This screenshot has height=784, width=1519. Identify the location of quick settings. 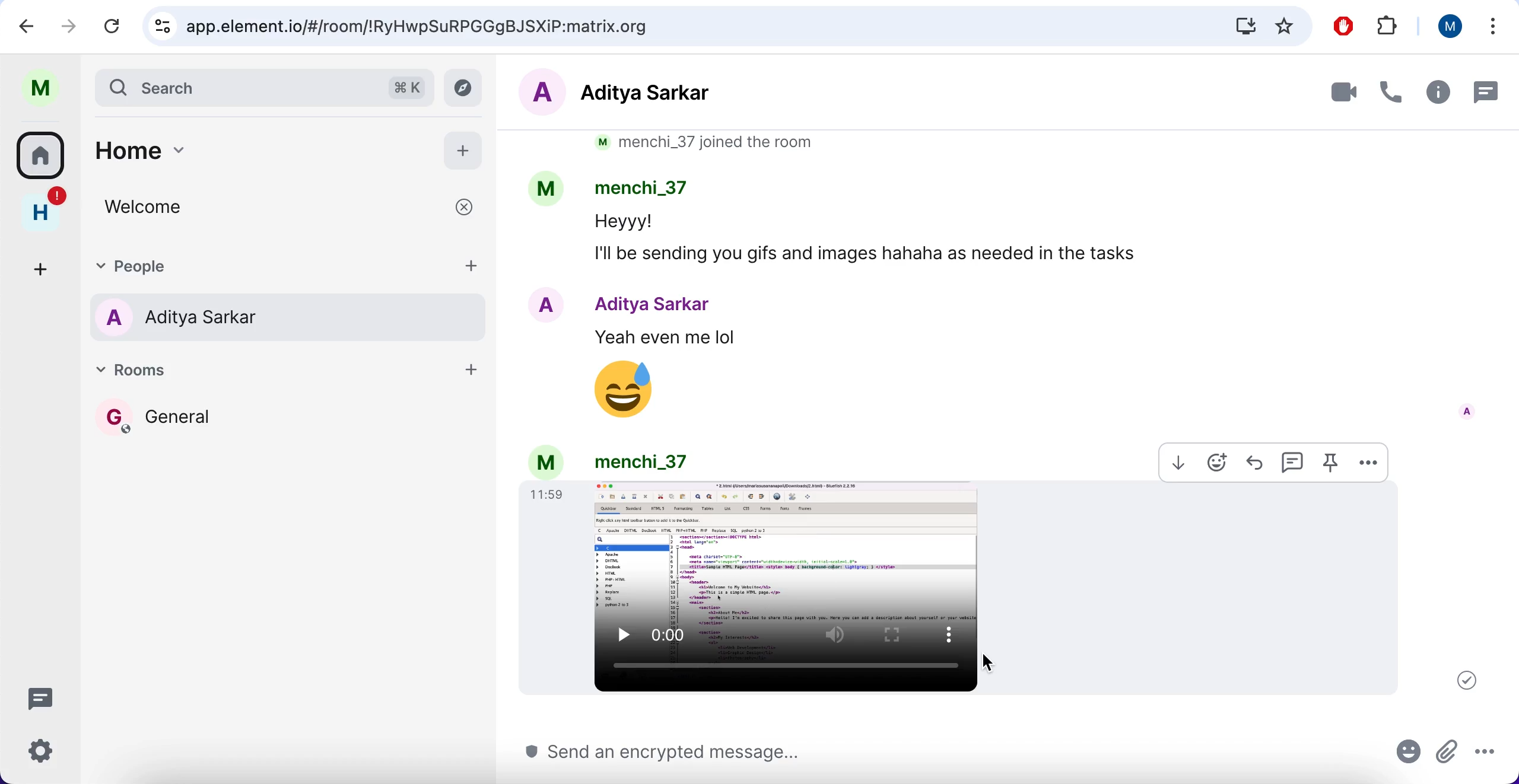
(40, 757).